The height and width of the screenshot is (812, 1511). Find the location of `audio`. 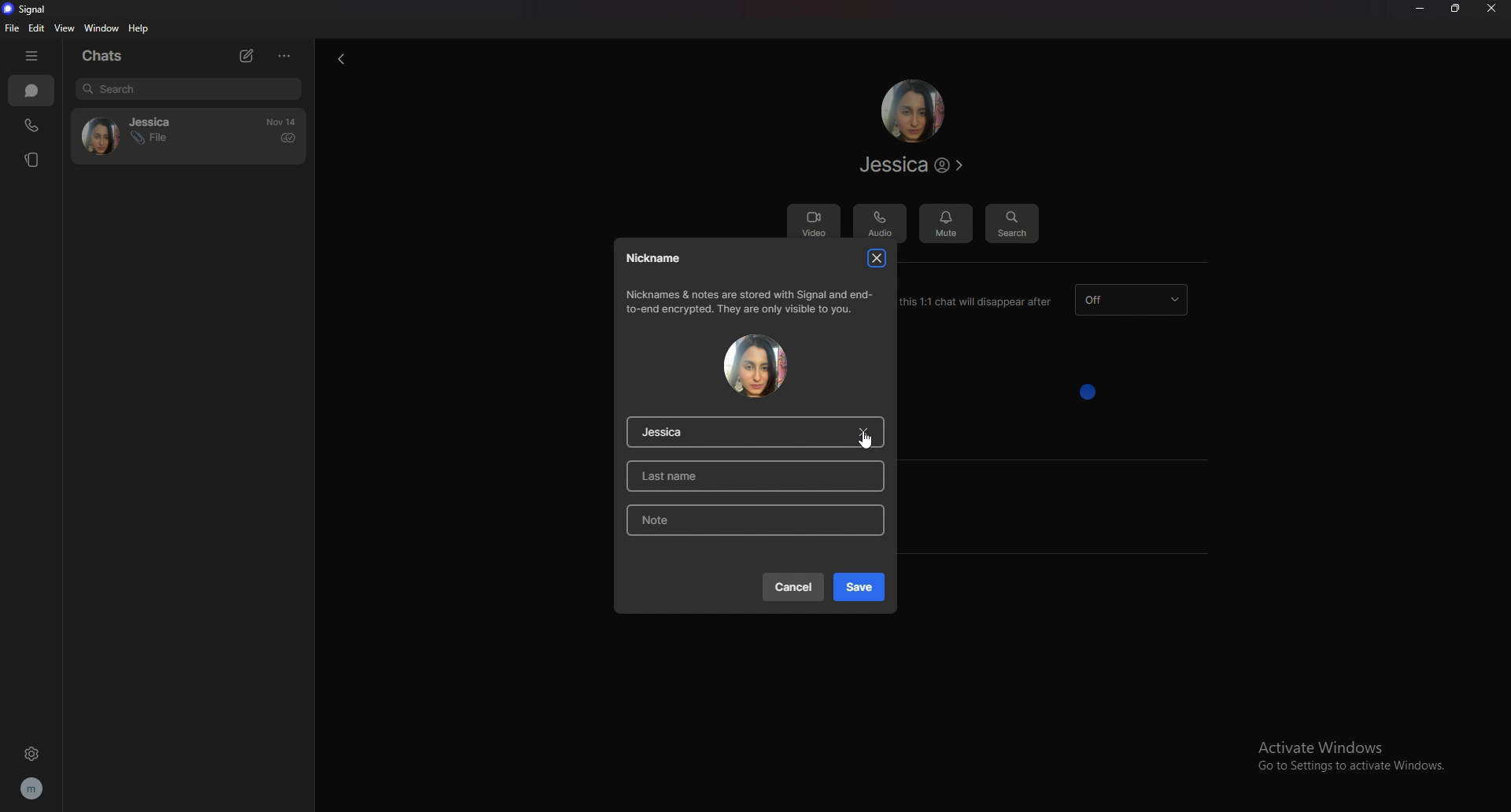

audio is located at coordinates (879, 224).